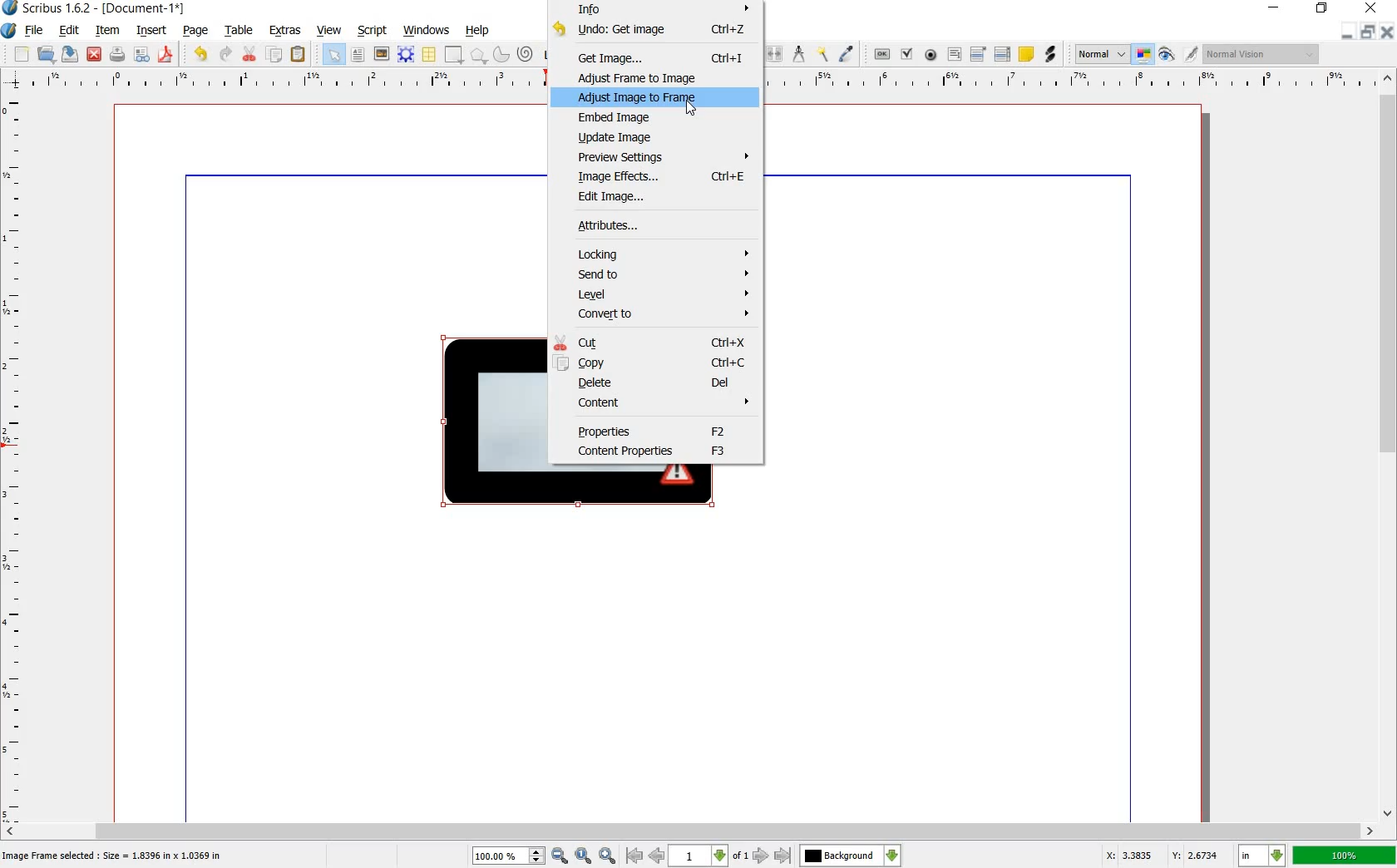  What do you see at coordinates (95, 53) in the screenshot?
I see `close` at bounding box center [95, 53].